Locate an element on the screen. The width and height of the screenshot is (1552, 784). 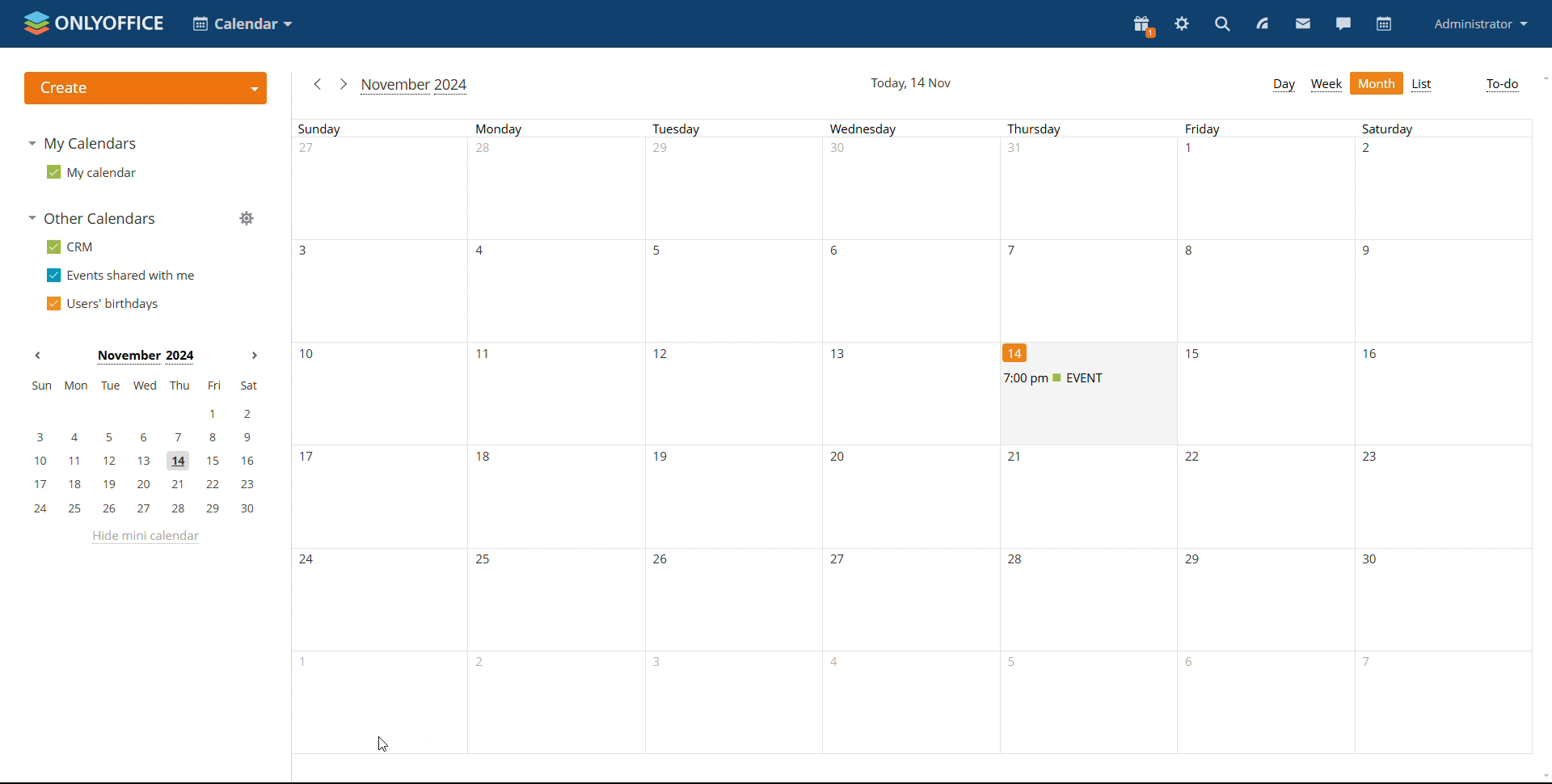
users' birthdays is located at coordinates (100, 304).